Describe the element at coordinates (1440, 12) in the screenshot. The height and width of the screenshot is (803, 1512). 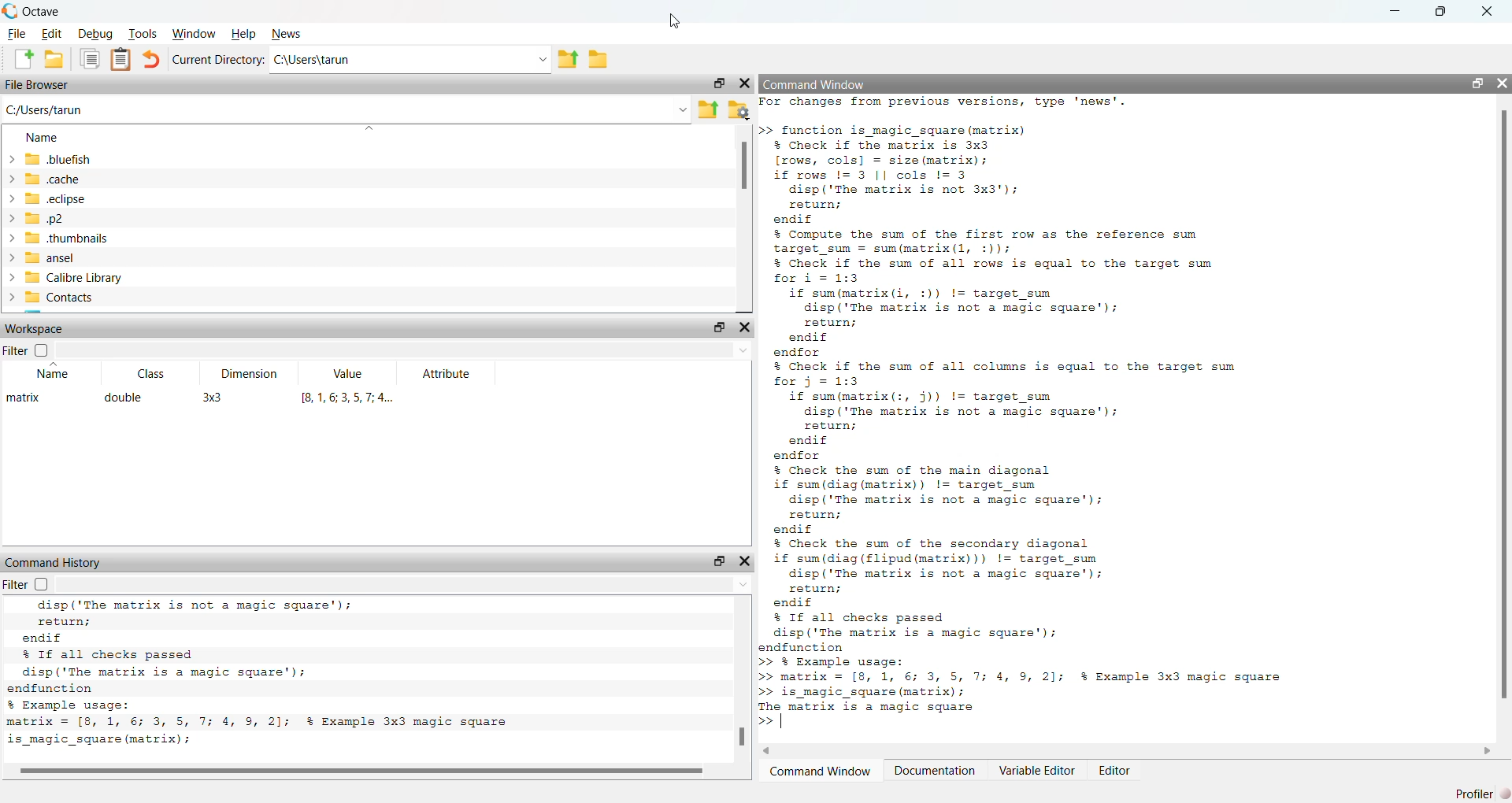
I see `maximize` at that location.